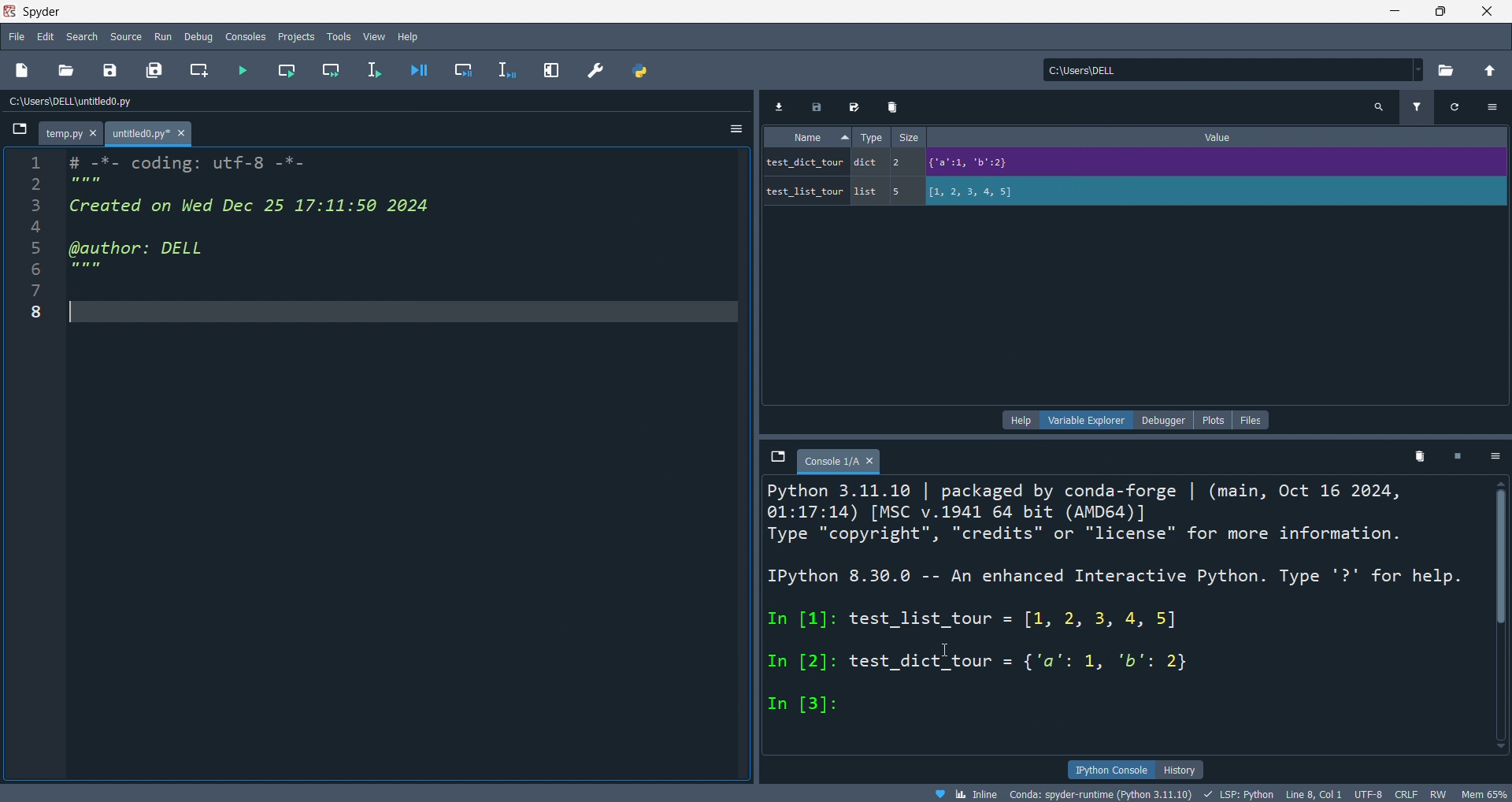 The image size is (1512, 802). Describe the element at coordinates (1458, 110) in the screenshot. I see `refresh` at that location.